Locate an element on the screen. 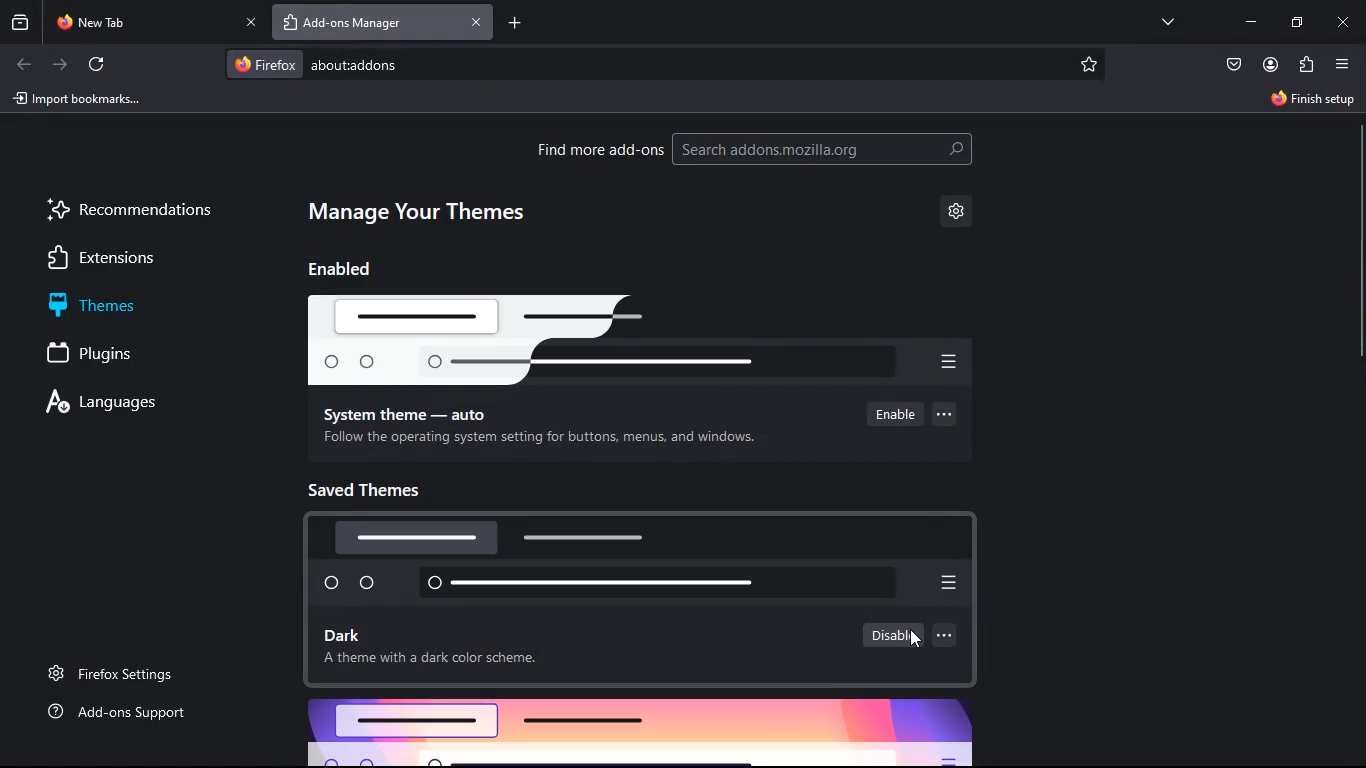  extensions is located at coordinates (129, 256).